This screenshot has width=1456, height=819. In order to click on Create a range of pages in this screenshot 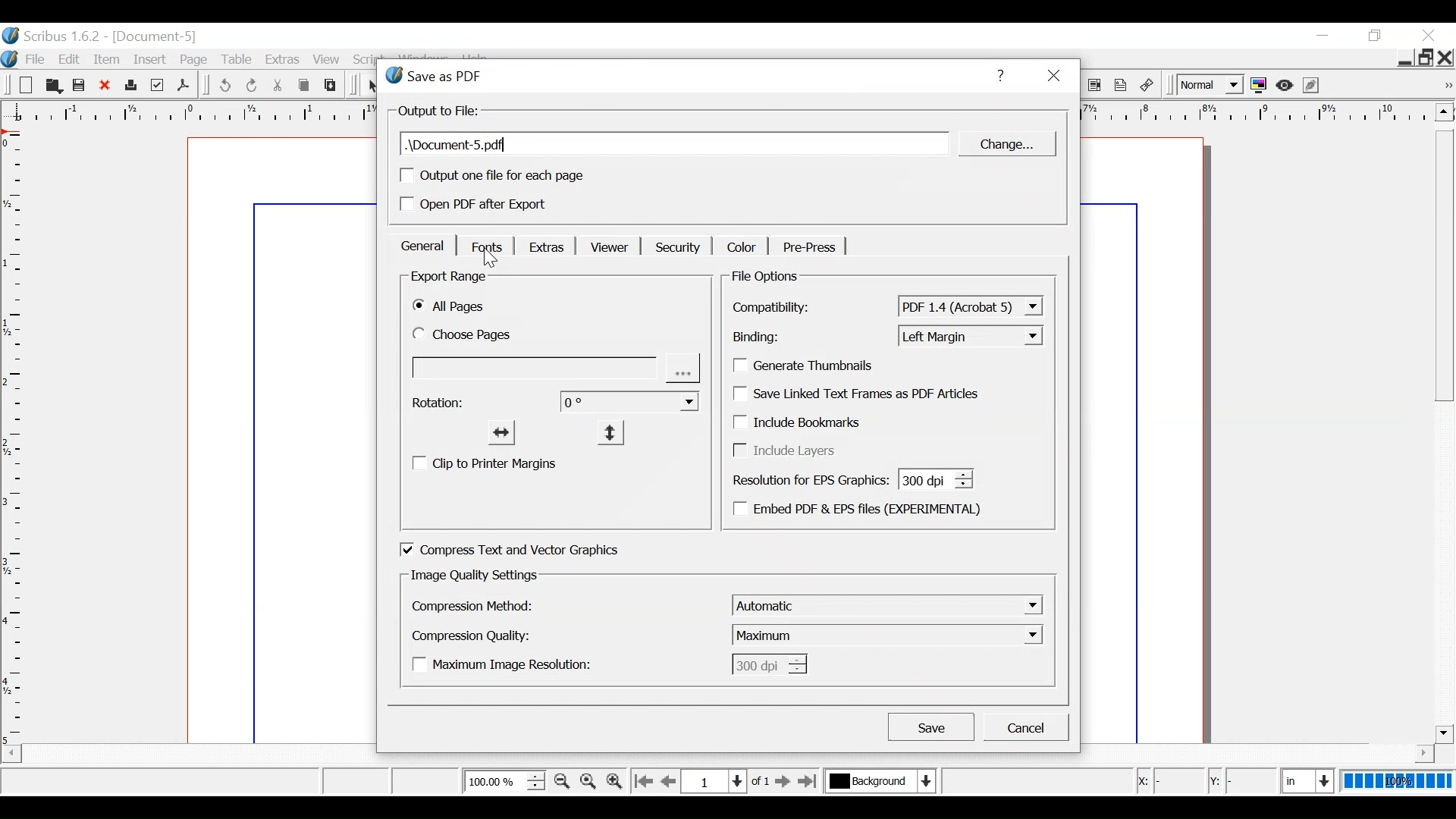, I will do `click(557, 370)`.